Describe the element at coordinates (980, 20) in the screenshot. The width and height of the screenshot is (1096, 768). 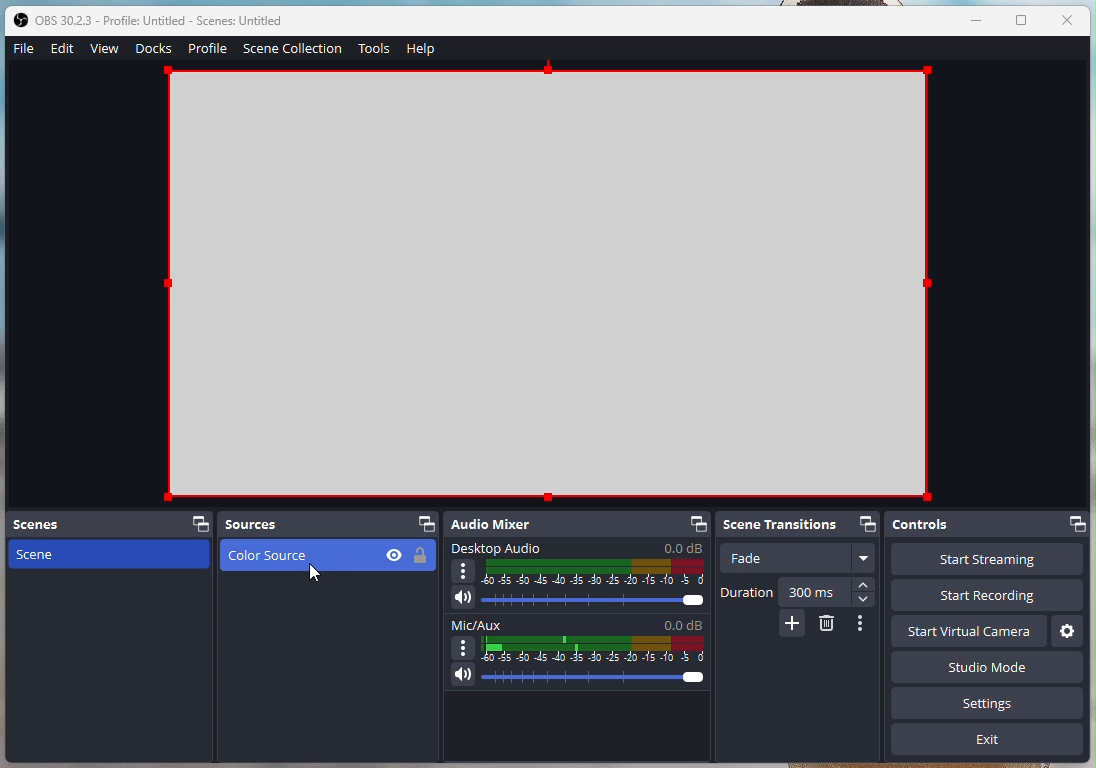
I see `minimise` at that location.